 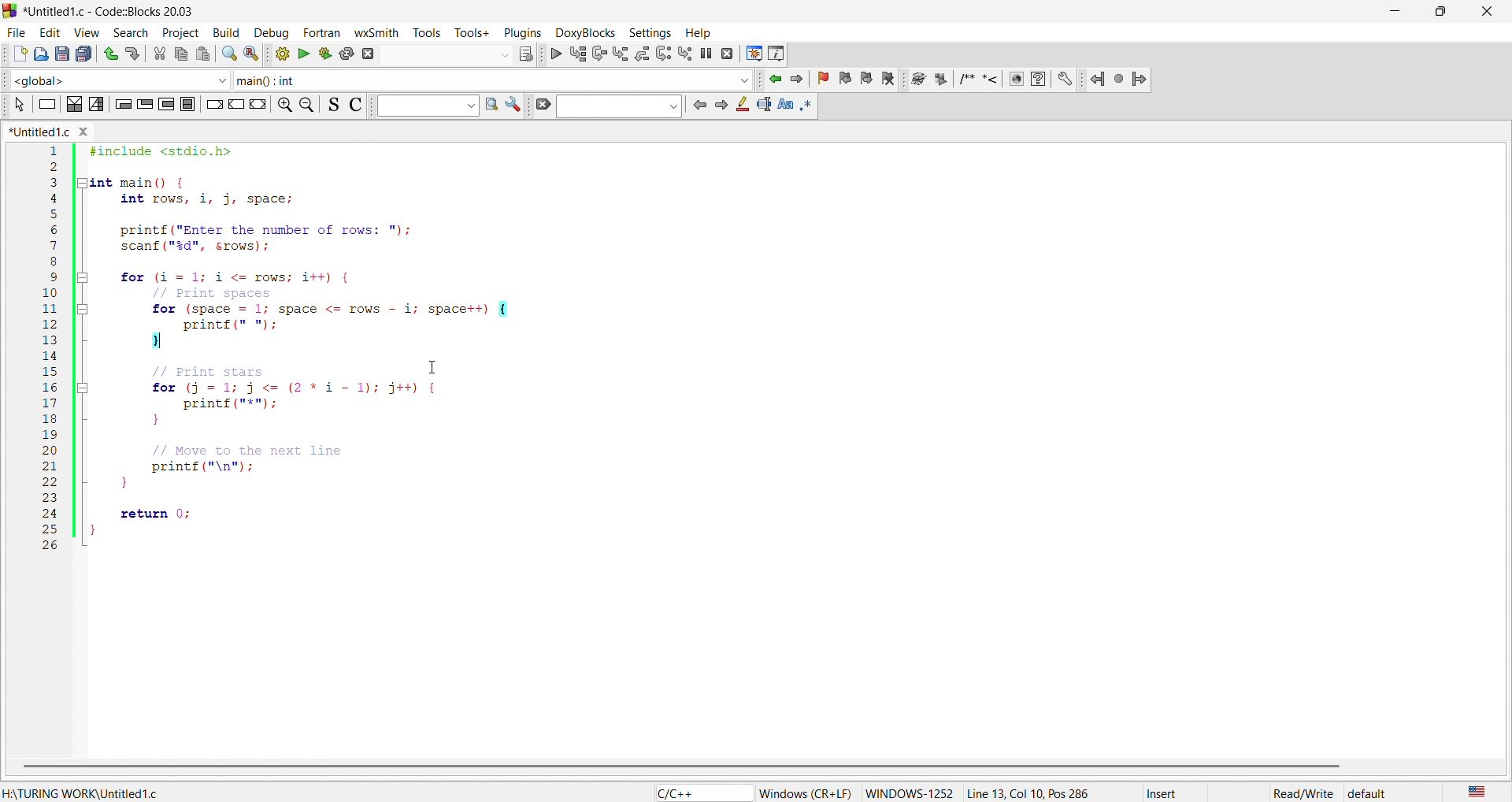 What do you see at coordinates (555, 55) in the screenshot?
I see `debug continue` at bounding box center [555, 55].